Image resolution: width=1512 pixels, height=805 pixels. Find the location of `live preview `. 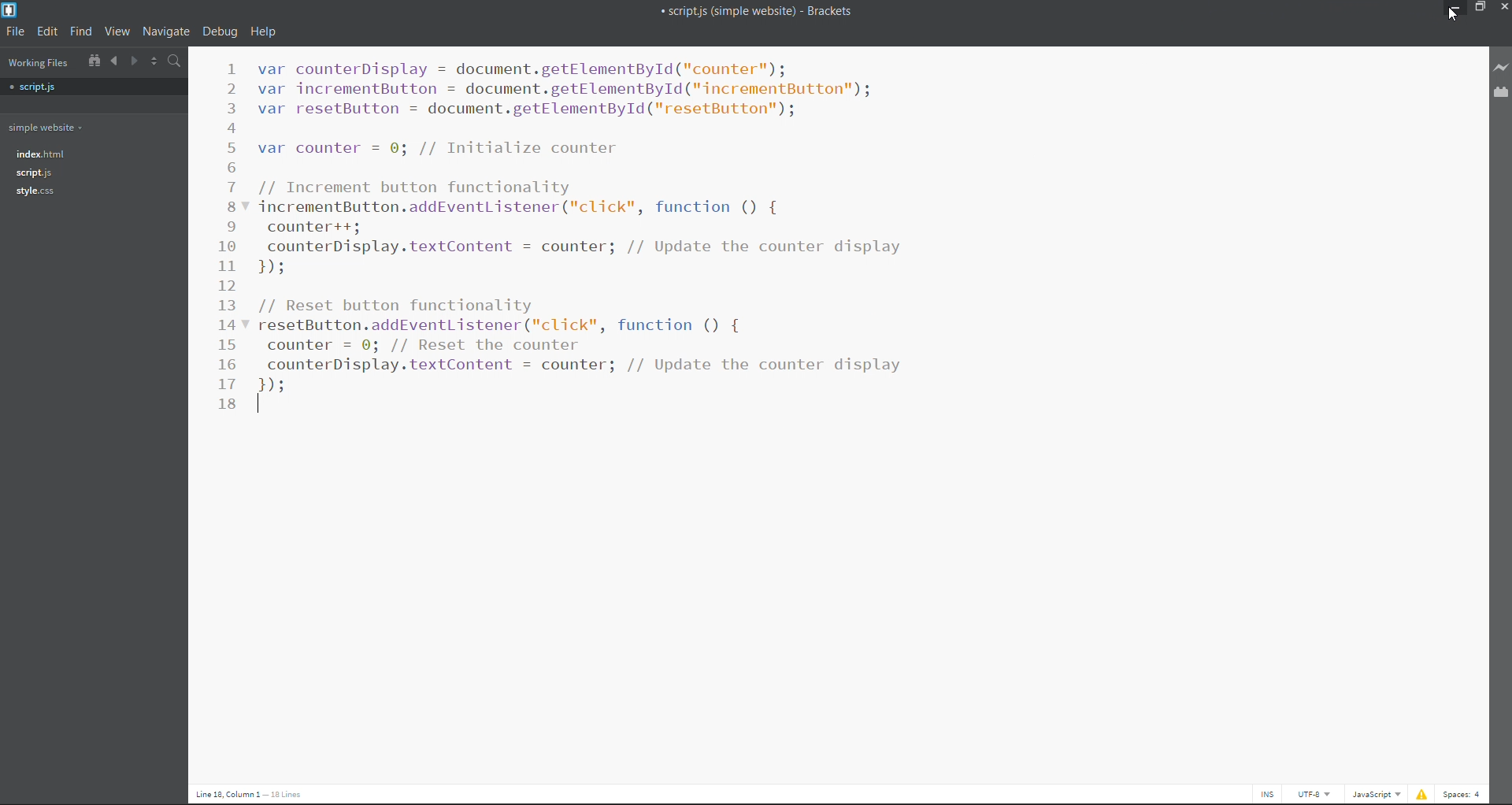

live preview  is located at coordinates (1502, 67).